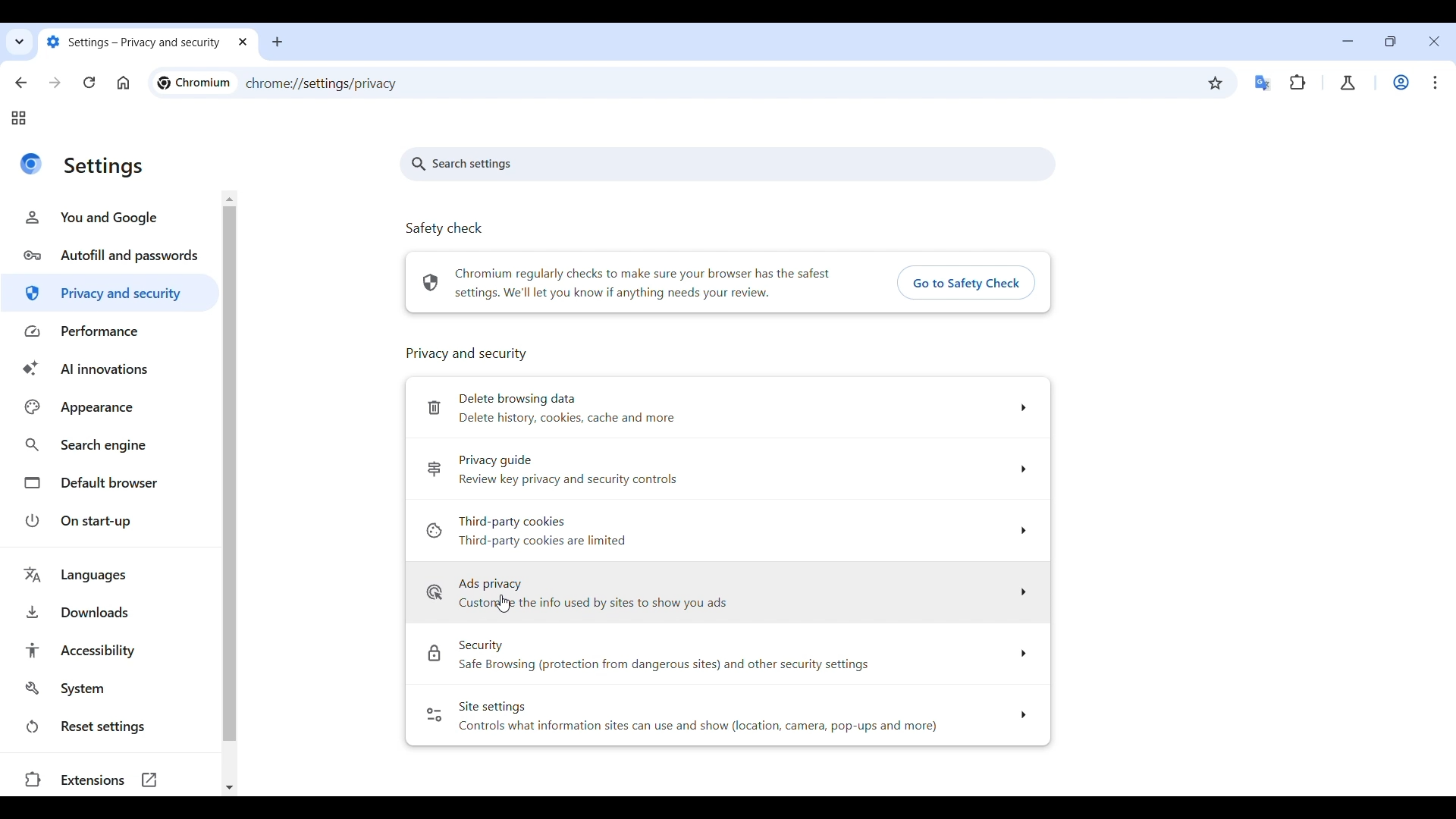 This screenshot has height=819, width=1456. Describe the element at coordinates (111, 218) in the screenshot. I see `You and Google` at that location.